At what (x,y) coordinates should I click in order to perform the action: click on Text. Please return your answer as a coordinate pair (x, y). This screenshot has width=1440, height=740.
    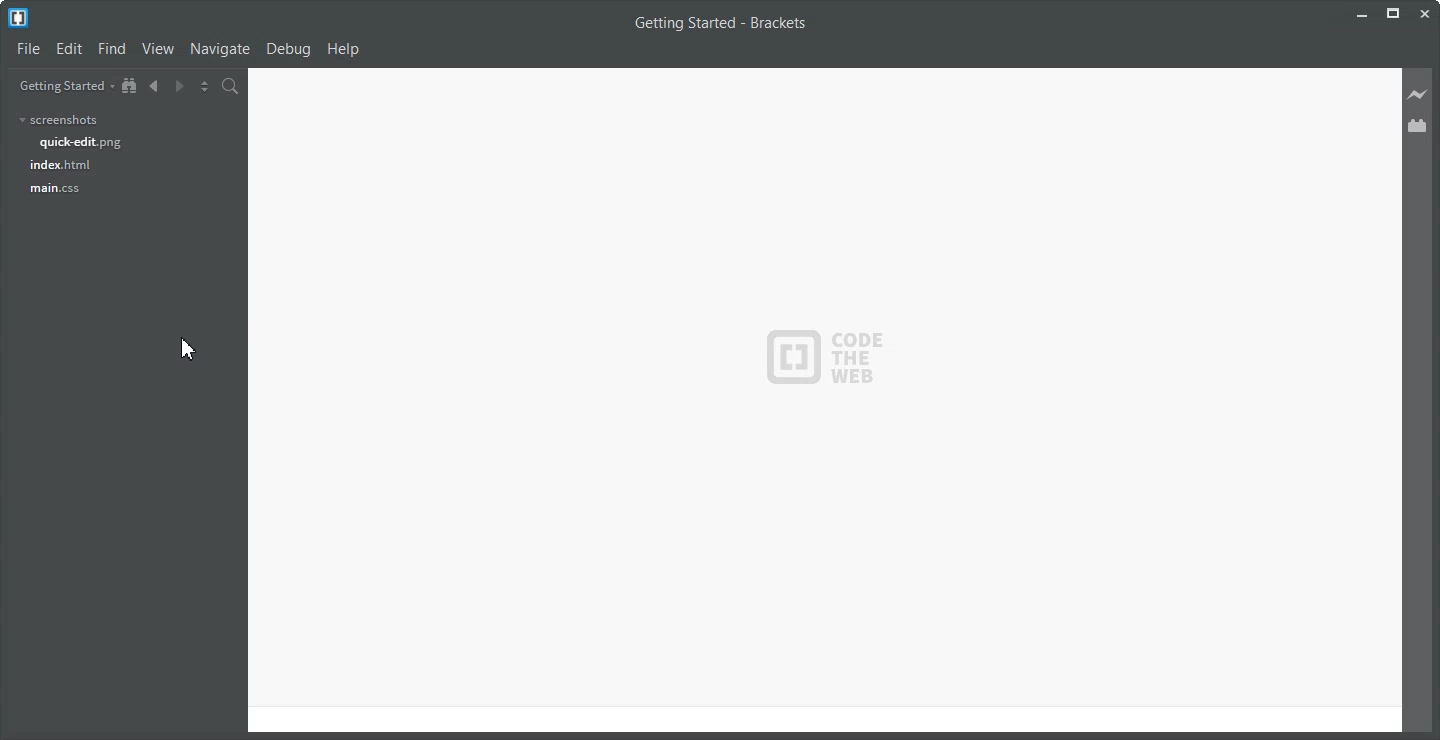
    Looking at the image, I should click on (722, 22).